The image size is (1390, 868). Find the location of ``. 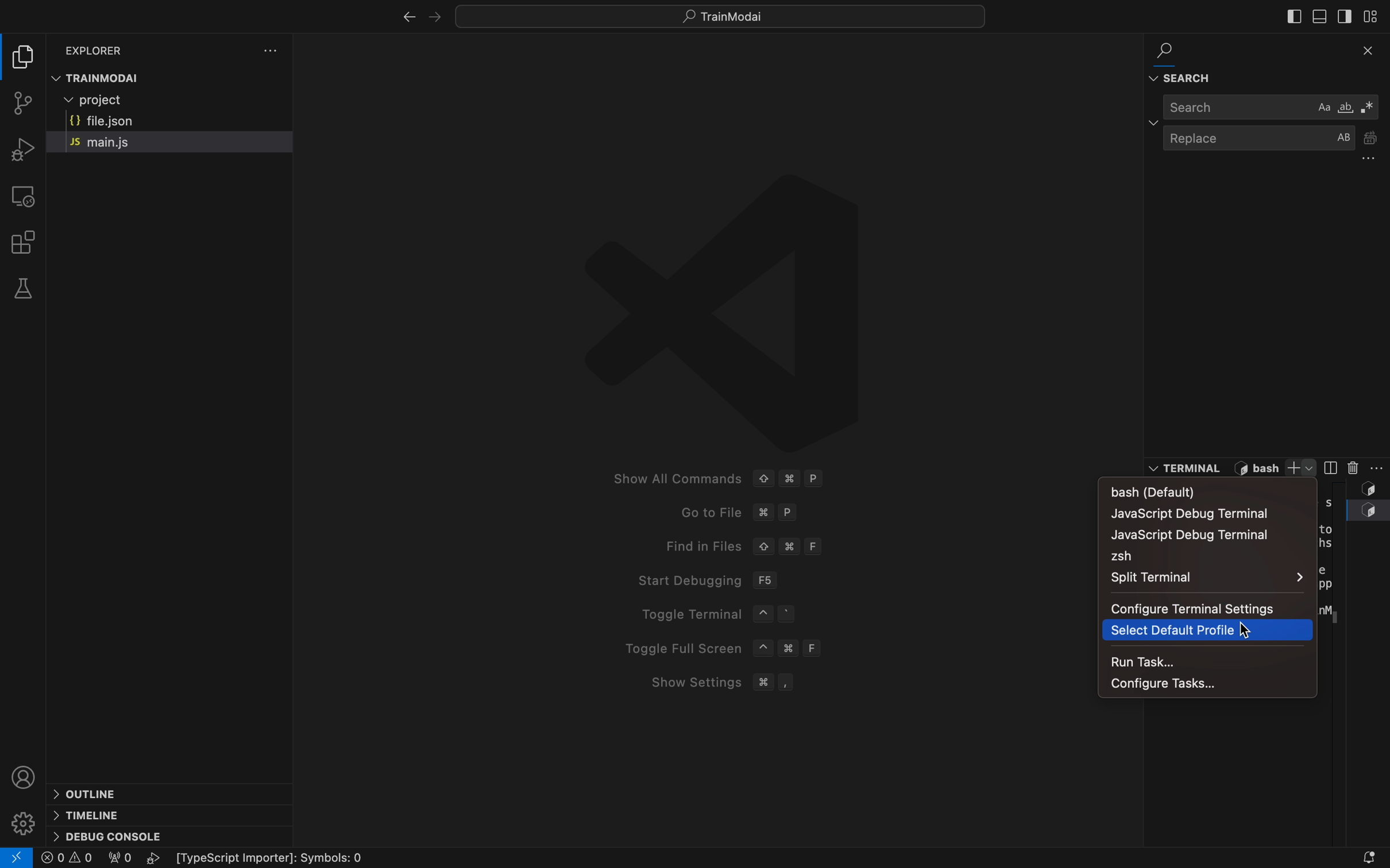

 is located at coordinates (1199, 660).